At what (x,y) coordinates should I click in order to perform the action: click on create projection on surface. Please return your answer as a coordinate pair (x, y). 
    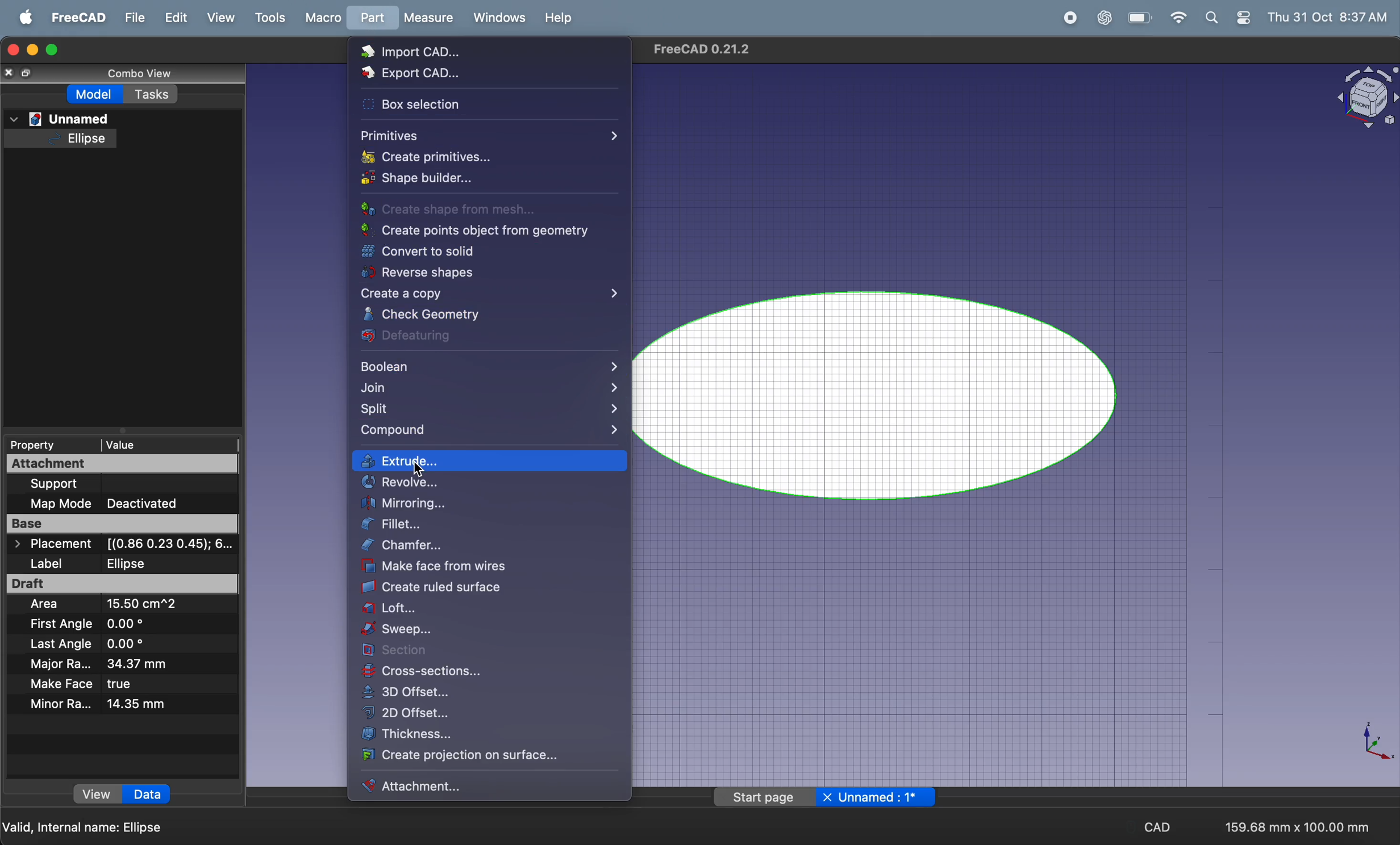
    Looking at the image, I should click on (474, 758).